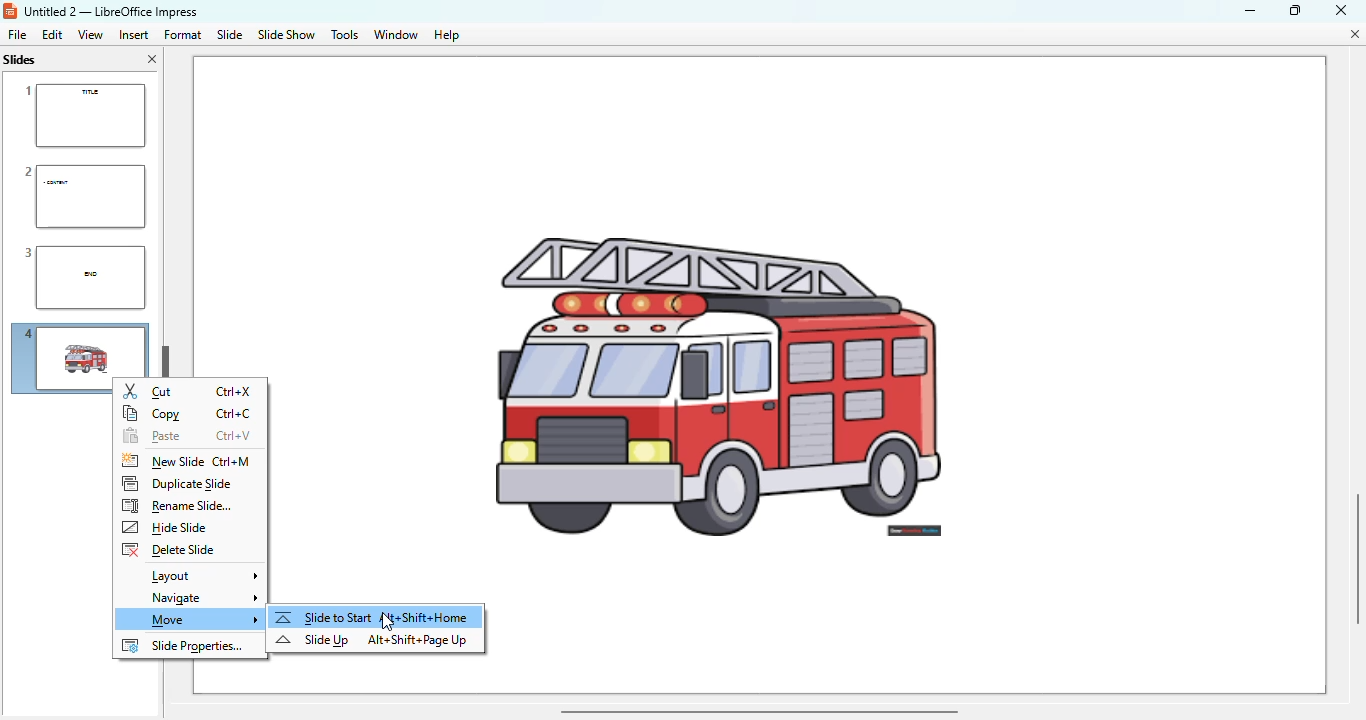  Describe the element at coordinates (233, 414) in the screenshot. I see `shortcut for copy` at that location.